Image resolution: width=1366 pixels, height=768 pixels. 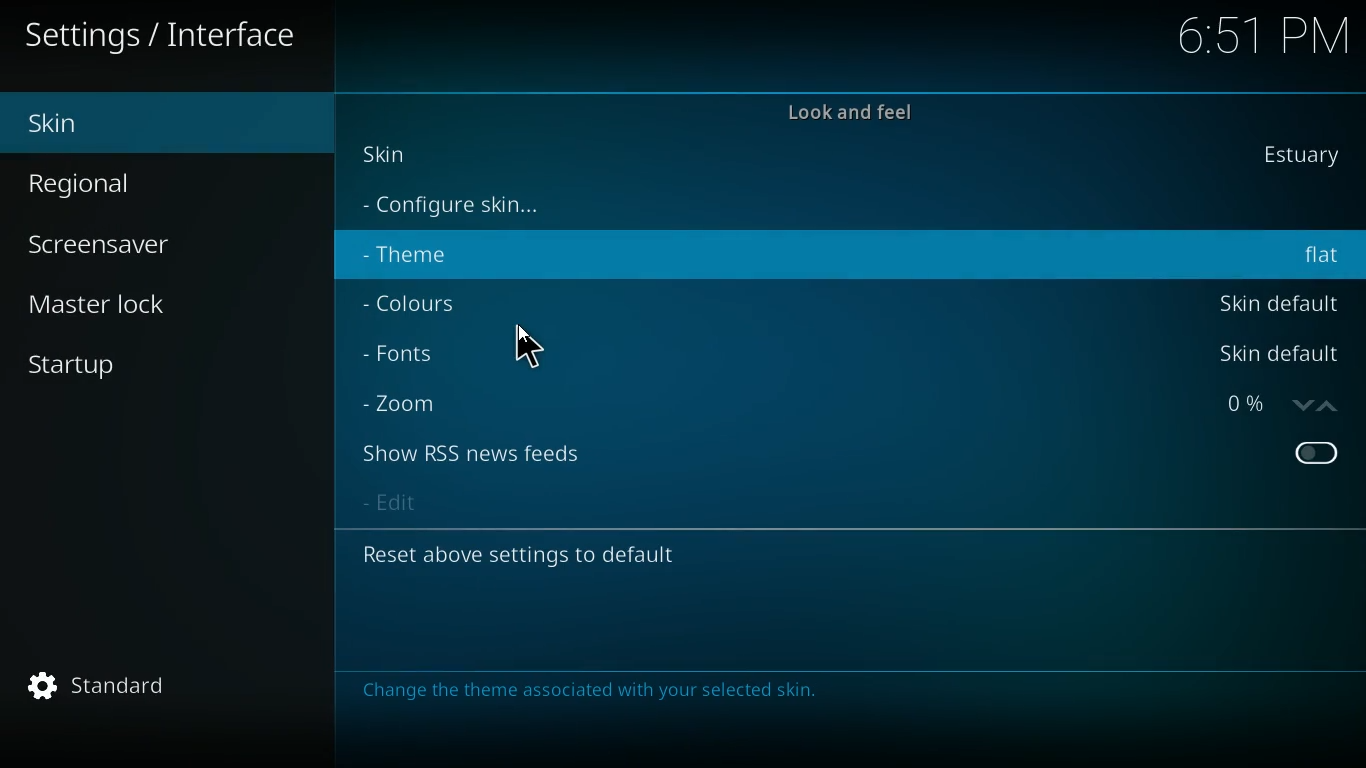 What do you see at coordinates (1322, 256) in the screenshot?
I see `flat theme` at bounding box center [1322, 256].